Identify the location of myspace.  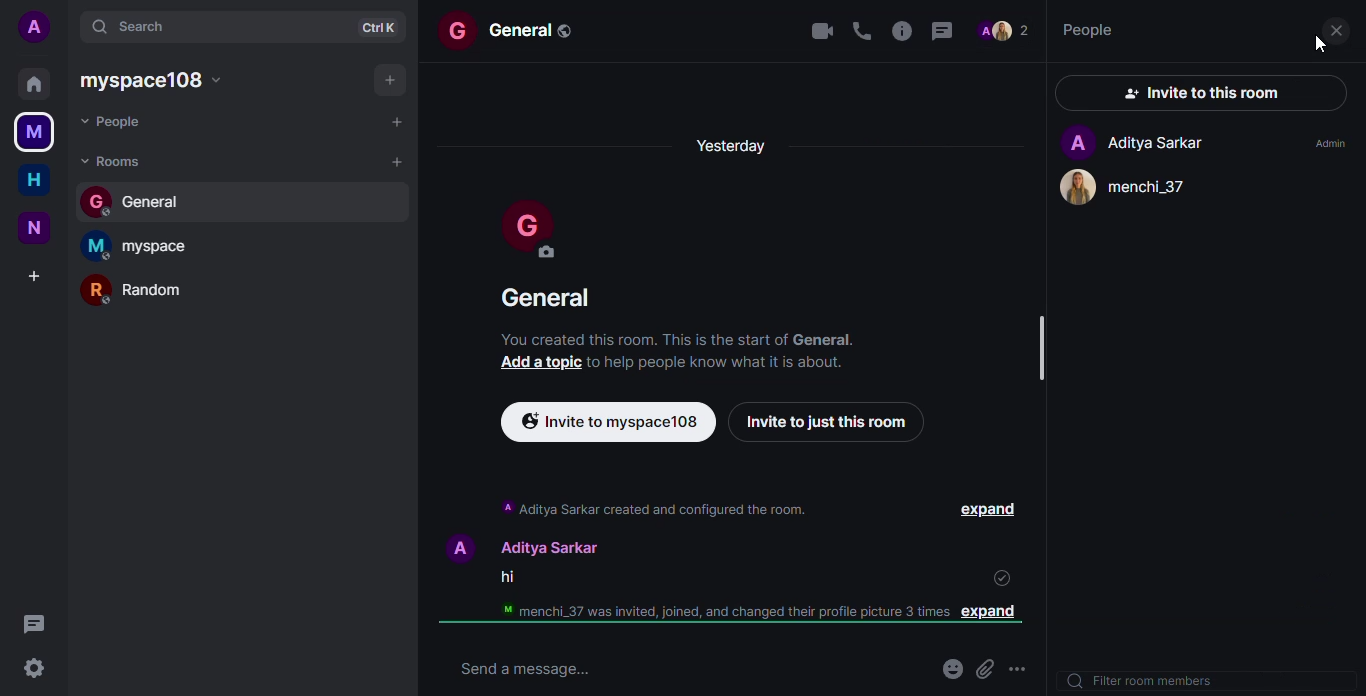
(152, 79).